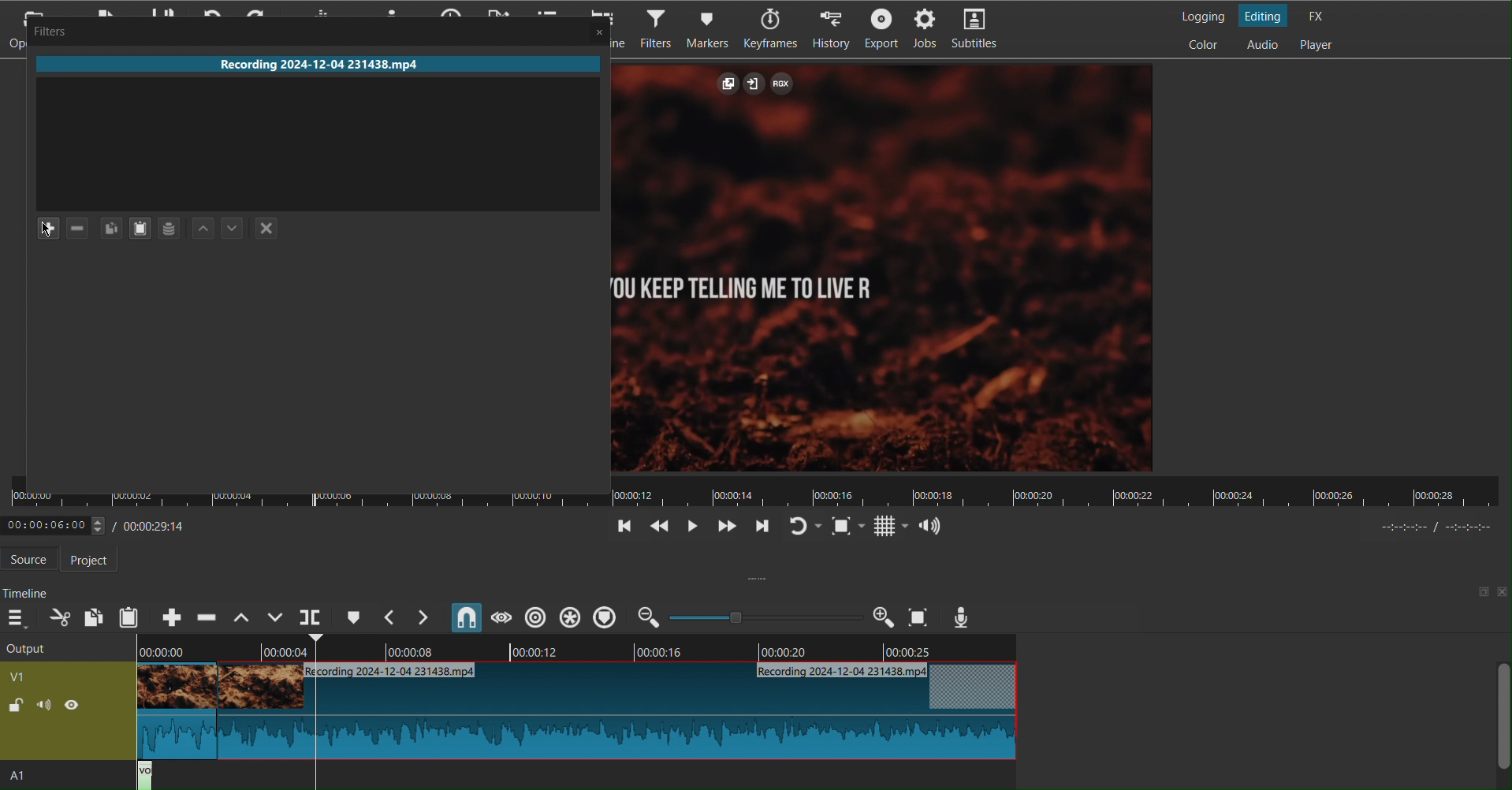  What do you see at coordinates (32, 777) in the screenshot?
I see `A1` at bounding box center [32, 777].